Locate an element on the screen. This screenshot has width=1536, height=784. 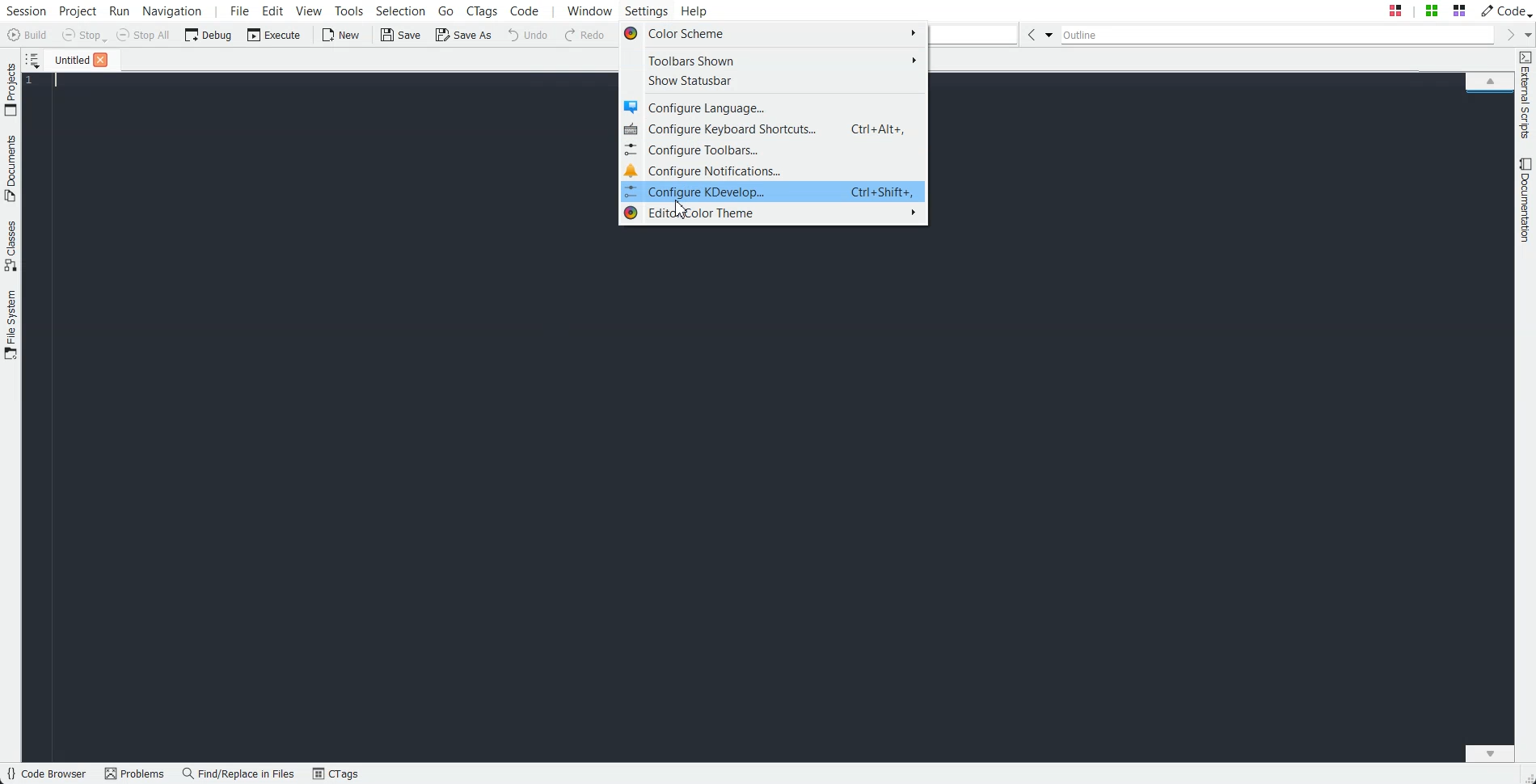
Show sorted list is located at coordinates (32, 60).